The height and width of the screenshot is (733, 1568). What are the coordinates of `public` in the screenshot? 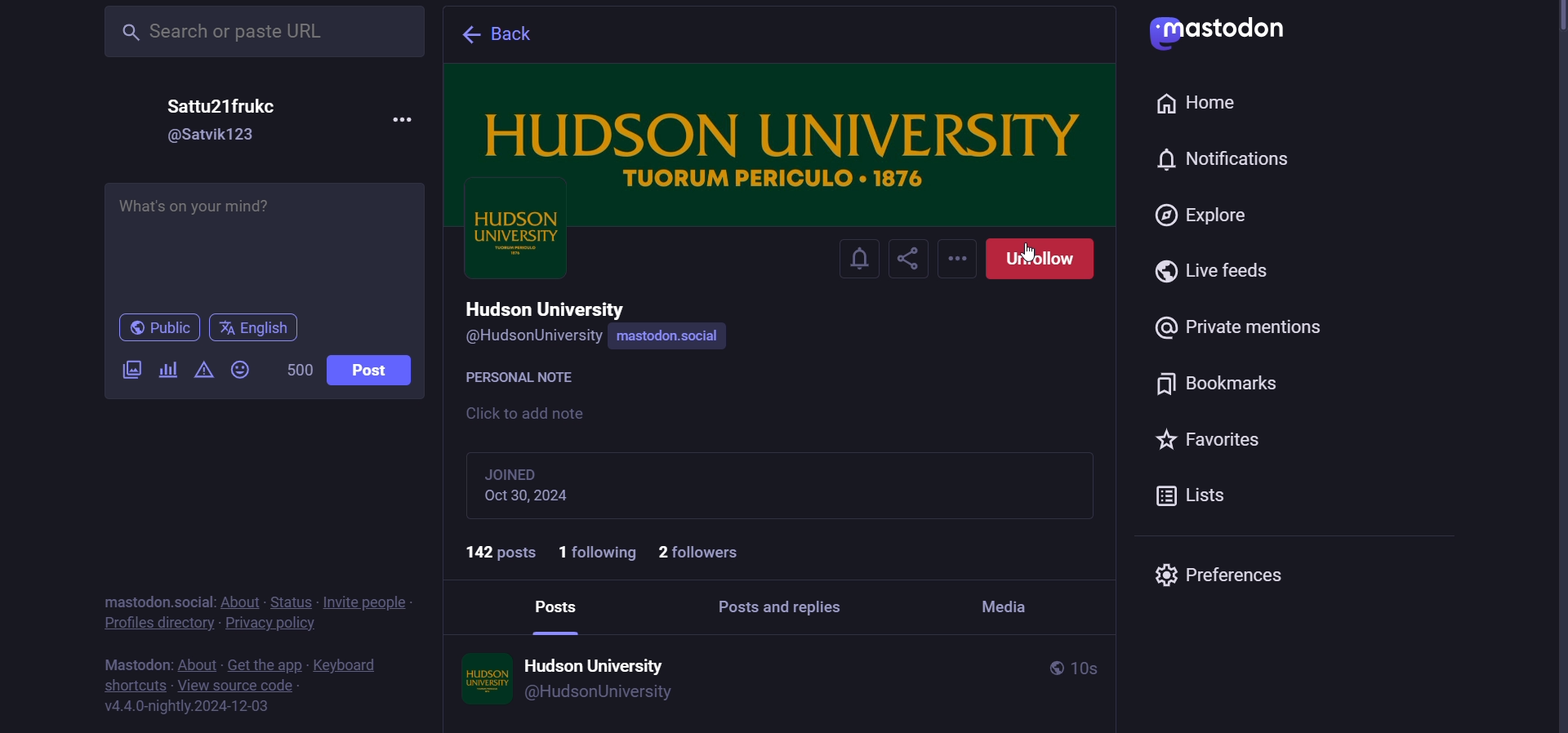 It's located at (156, 328).